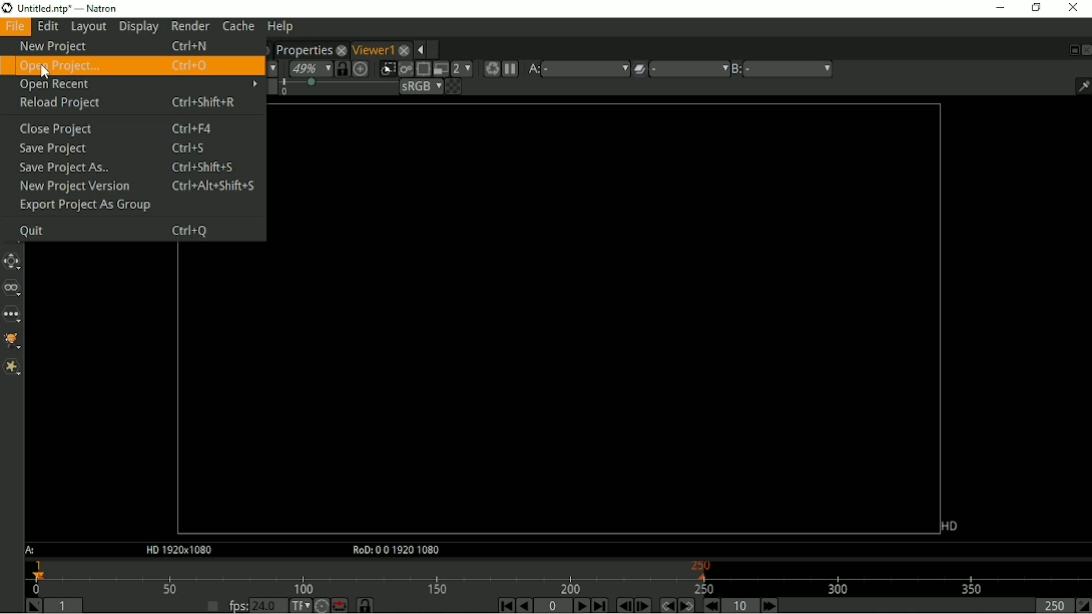 The width and height of the screenshot is (1092, 614). What do you see at coordinates (7, 8) in the screenshot?
I see `logo` at bounding box center [7, 8].